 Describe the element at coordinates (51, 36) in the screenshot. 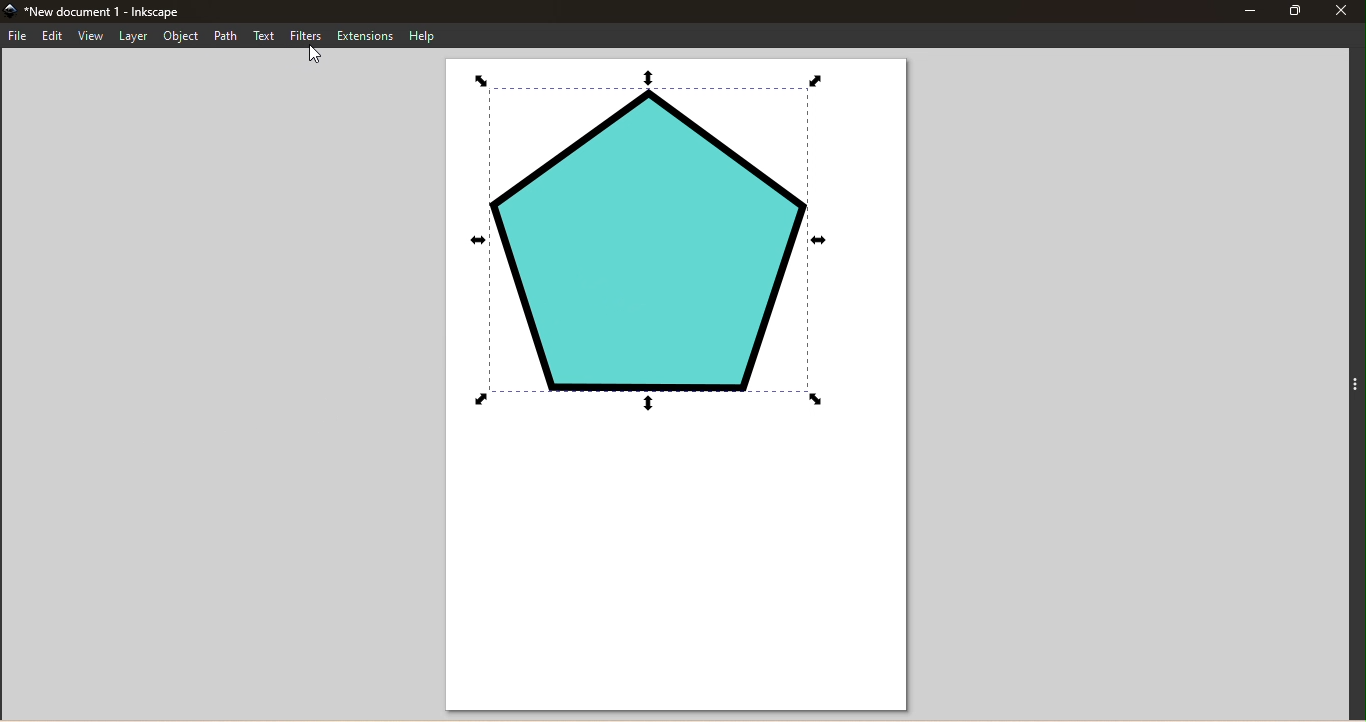

I see `Edit` at that location.